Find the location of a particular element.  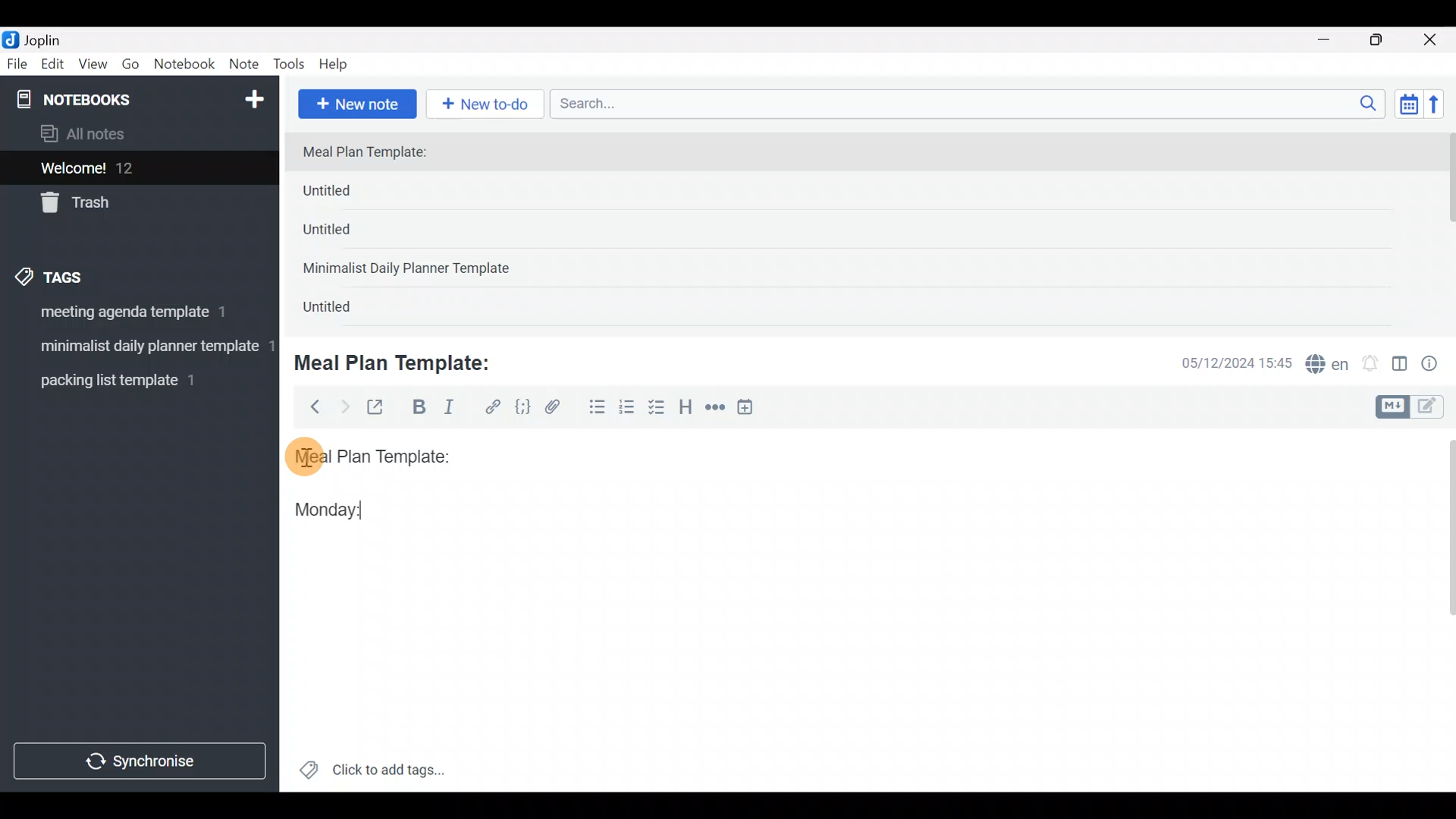

Numbered list is located at coordinates (627, 410).